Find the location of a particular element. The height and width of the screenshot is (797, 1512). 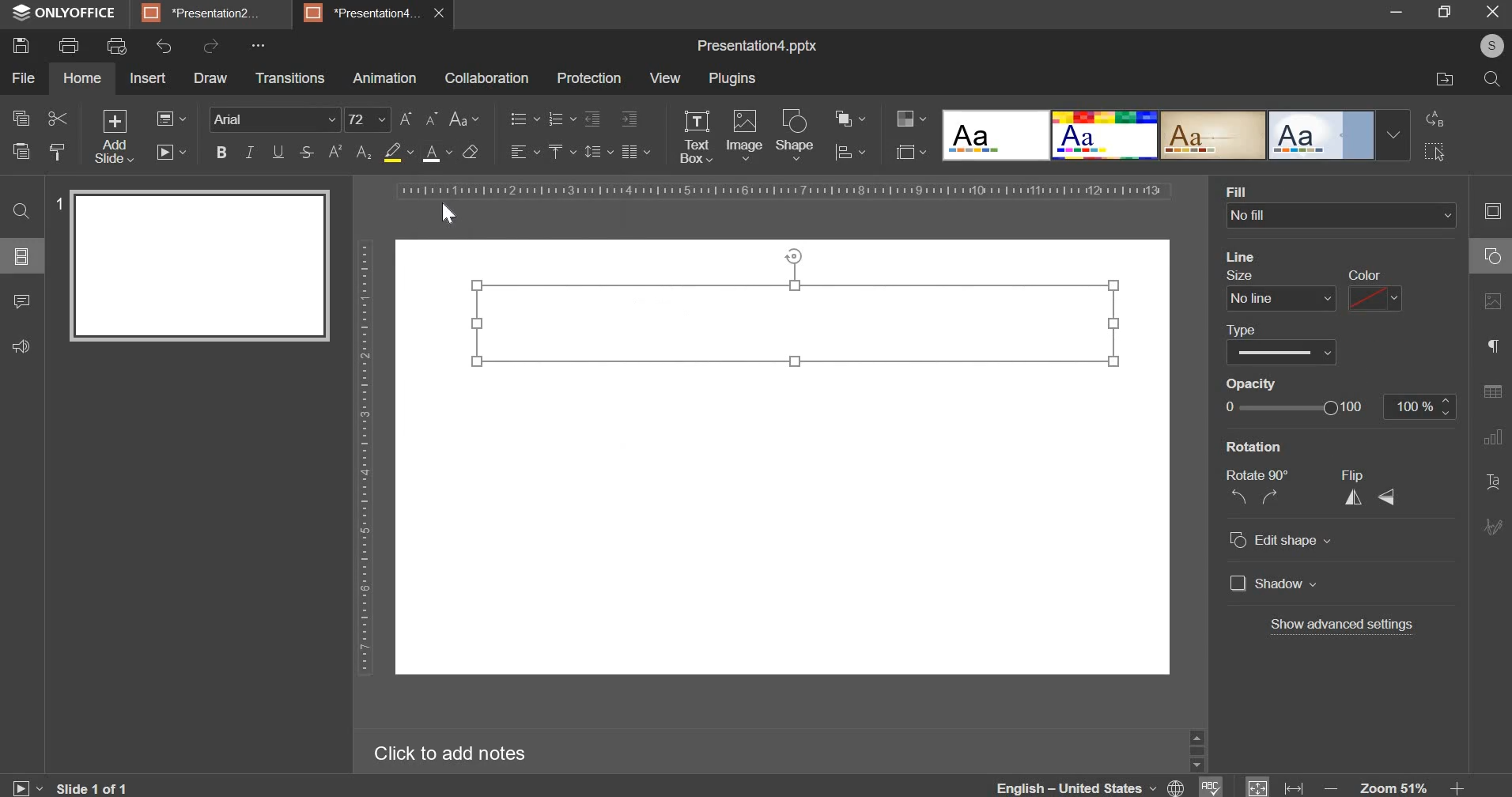

bold is located at coordinates (221, 152).